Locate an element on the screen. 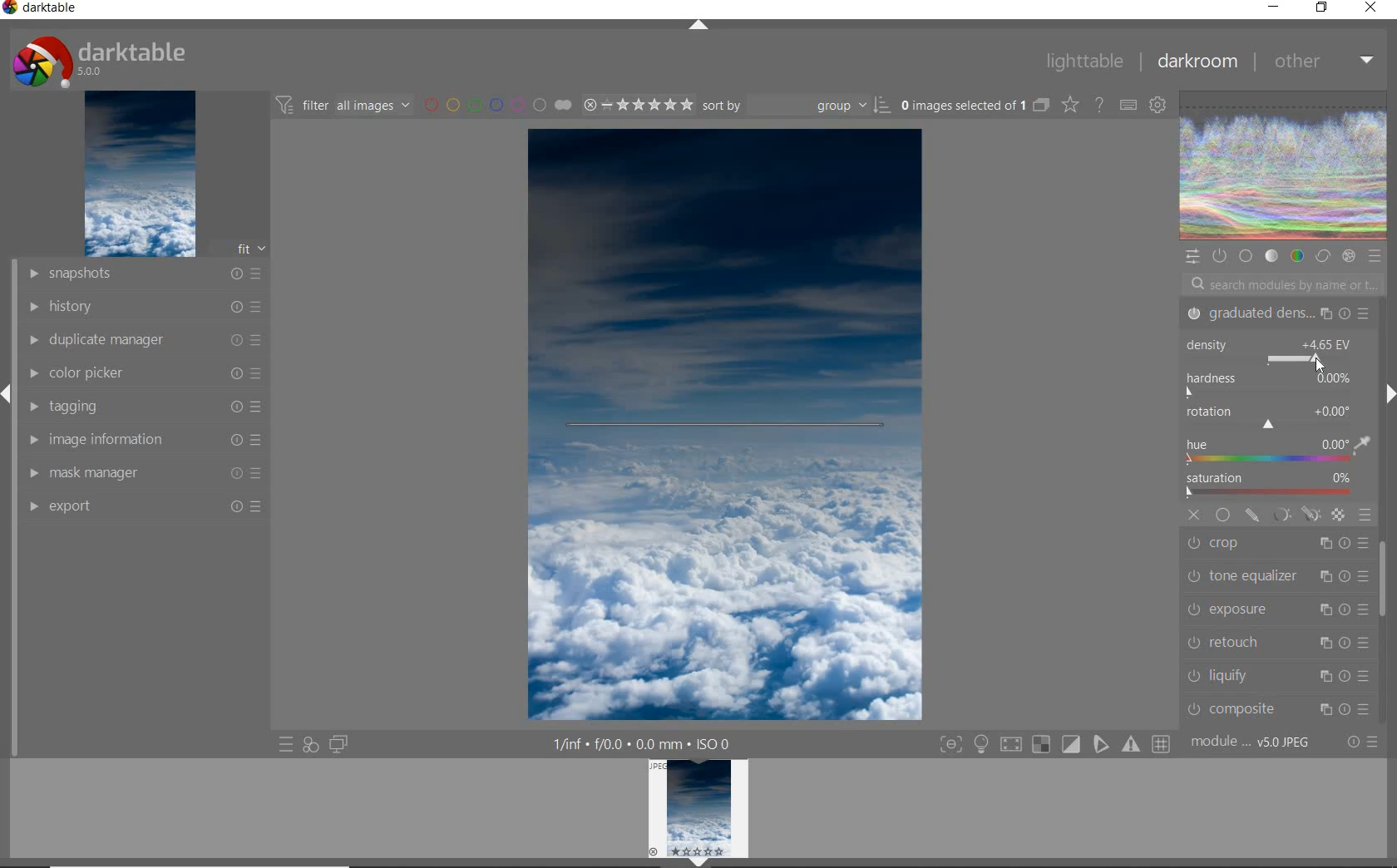 The height and width of the screenshot is (868, 1397). SEARCH MODULES is located at coordinates (1283, 284).